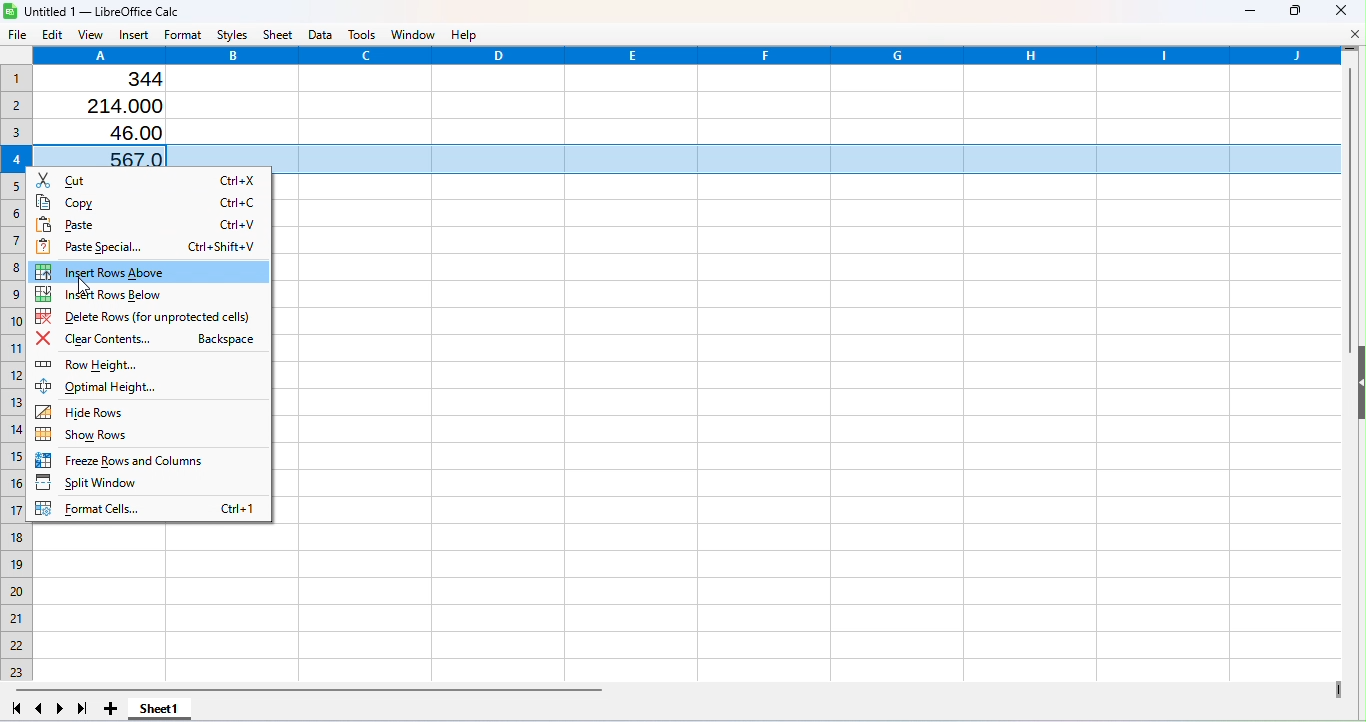 The width and height of the screenshot is (1366, 722). Describe the element at coordinates (132, 80) in the screenshot. I see `344` at that location.